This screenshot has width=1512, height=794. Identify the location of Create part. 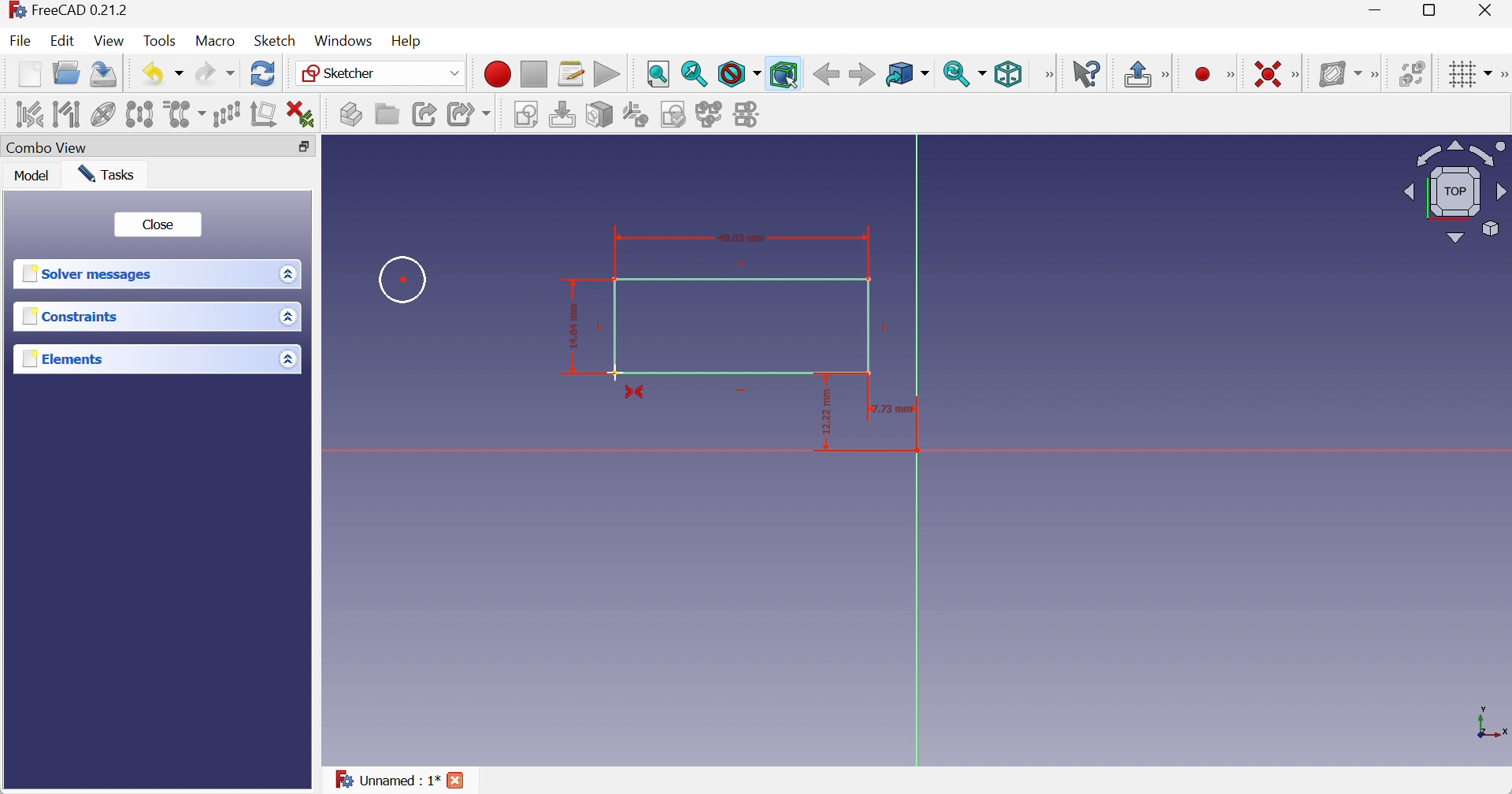
(350, 113).